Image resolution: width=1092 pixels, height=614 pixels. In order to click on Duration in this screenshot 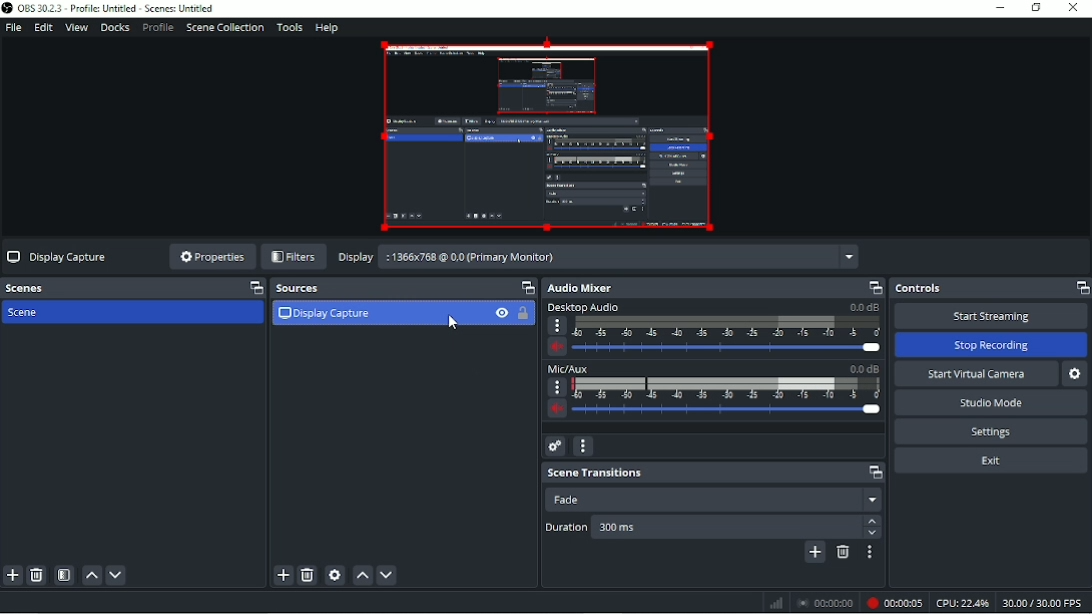, I will do `click(565, 527)`.